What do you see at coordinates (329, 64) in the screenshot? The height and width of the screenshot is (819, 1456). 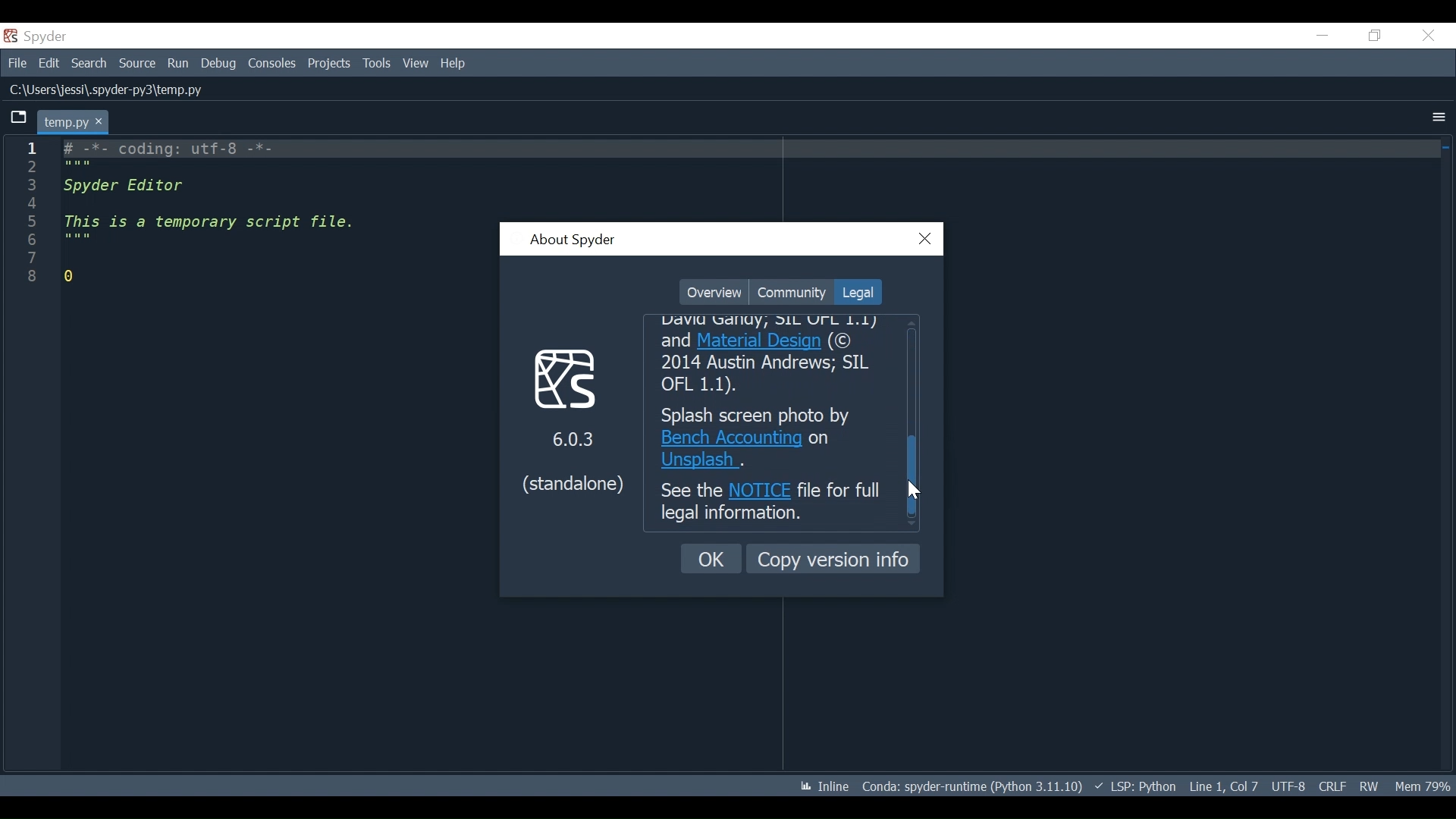 I see `Projects` at bounding box center [329, 64].